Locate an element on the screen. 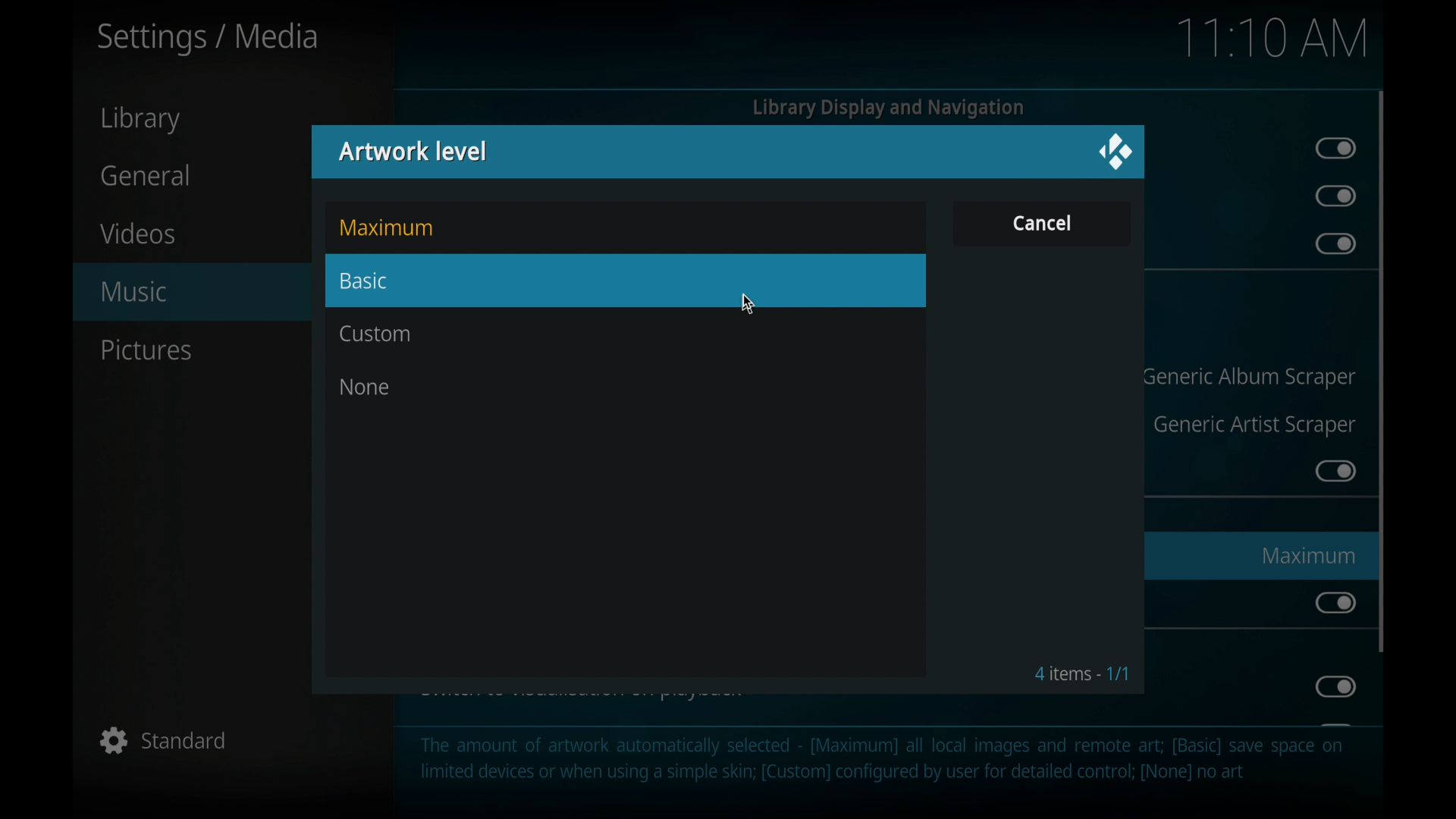 This screenshot has height=819, width=1456. none is located at coordinates (364, 387).